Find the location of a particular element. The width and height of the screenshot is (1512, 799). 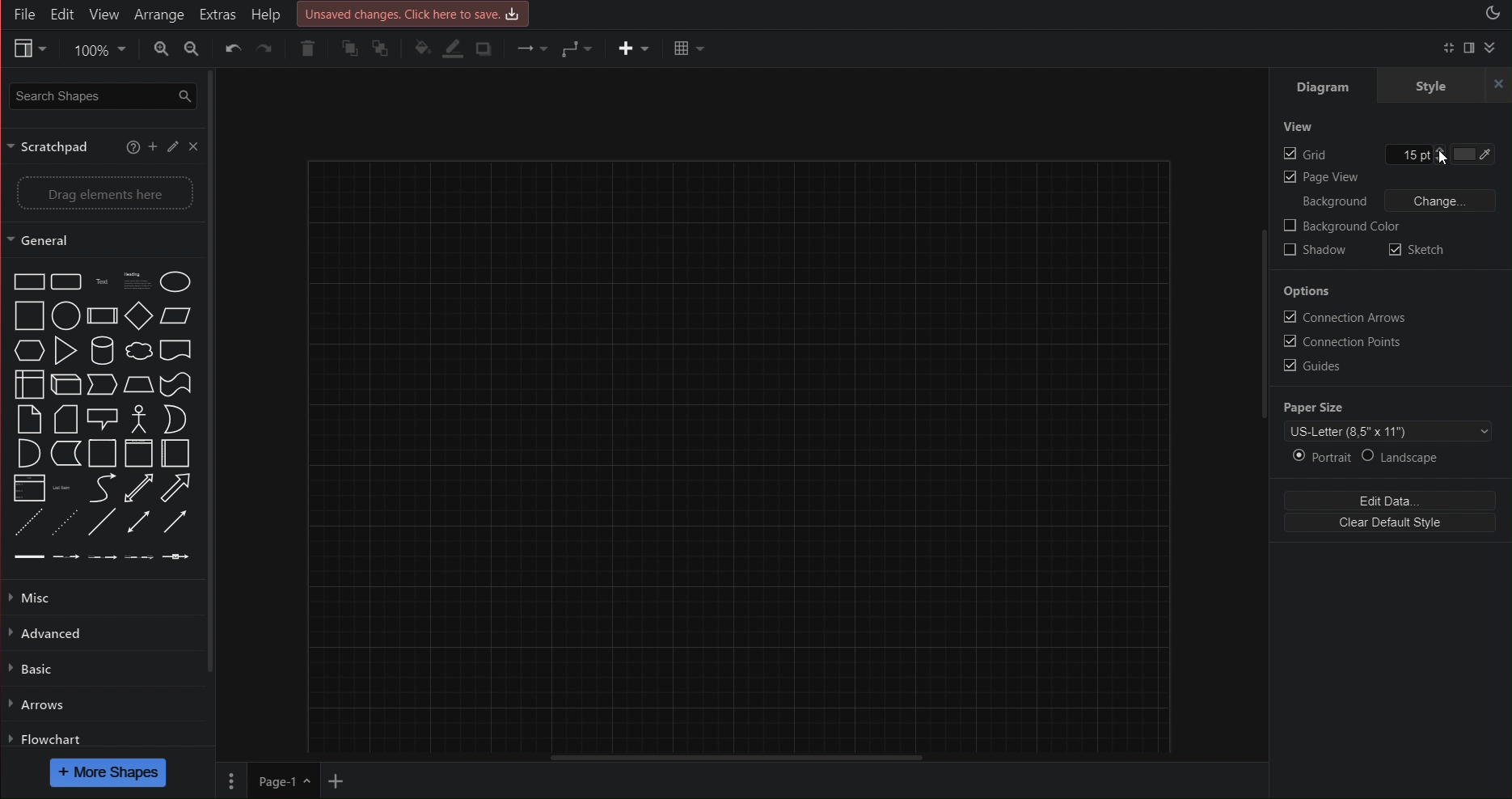

curve moon is located at coordinates (175, 414).